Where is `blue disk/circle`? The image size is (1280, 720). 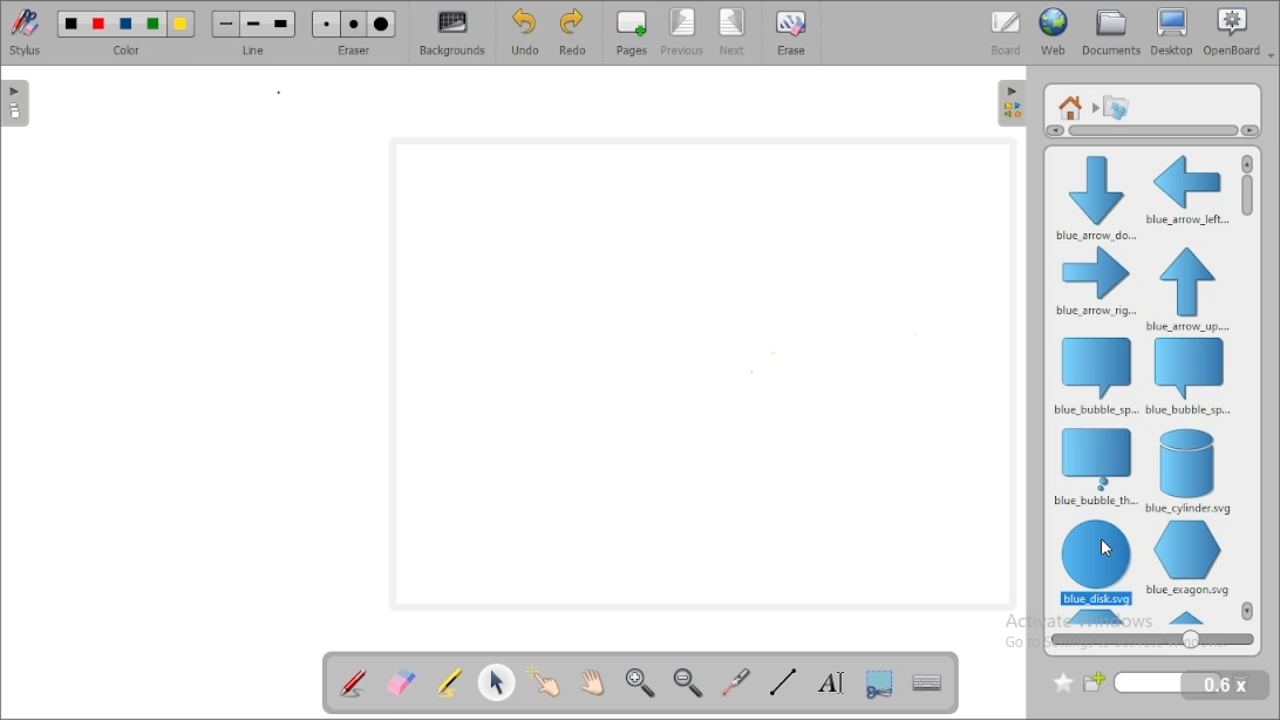 blue disk/circle is located at coordinates (1097, 562).